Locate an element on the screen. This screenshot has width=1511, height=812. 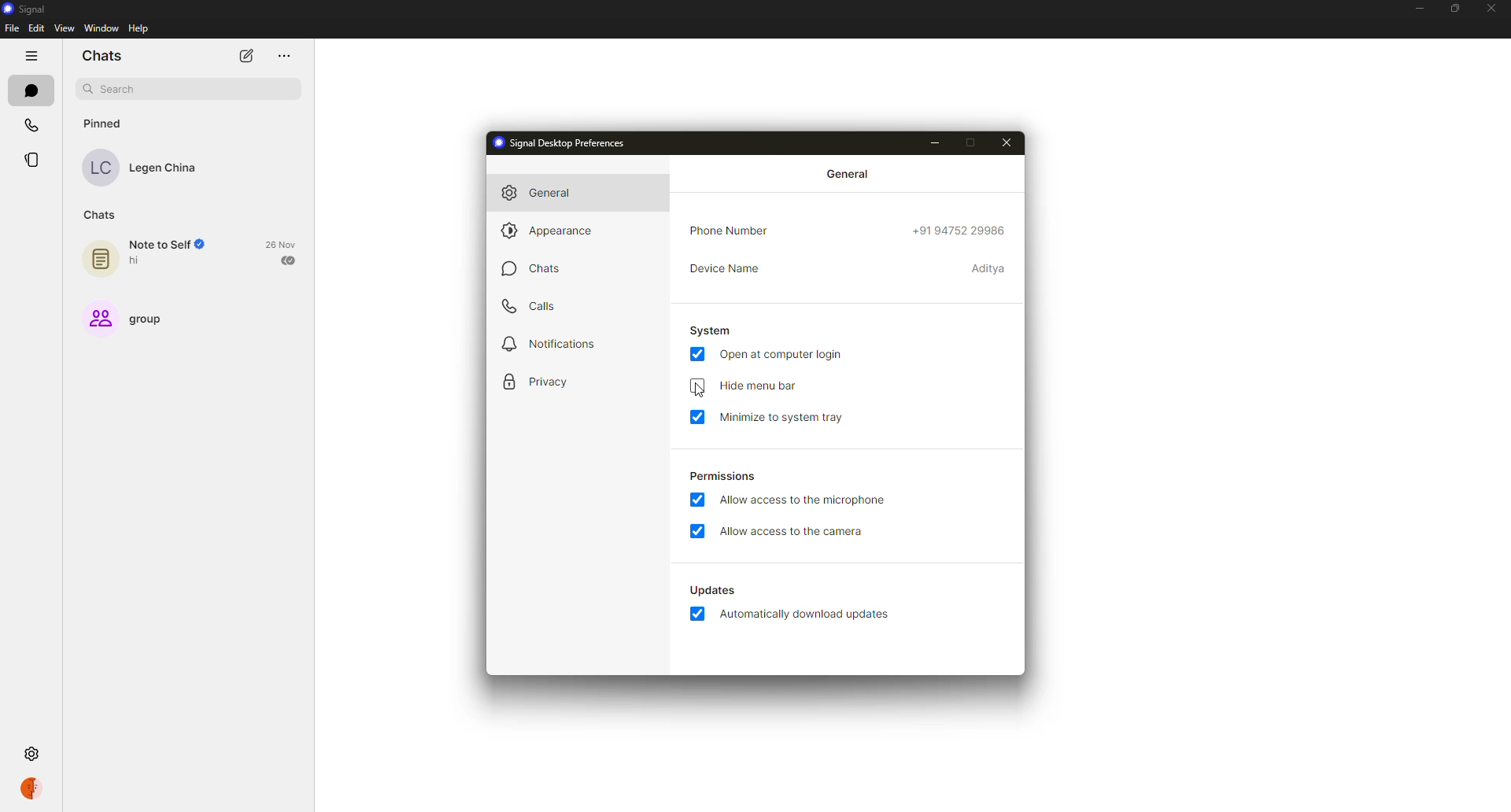
updates is located at coordinates (711, 589).